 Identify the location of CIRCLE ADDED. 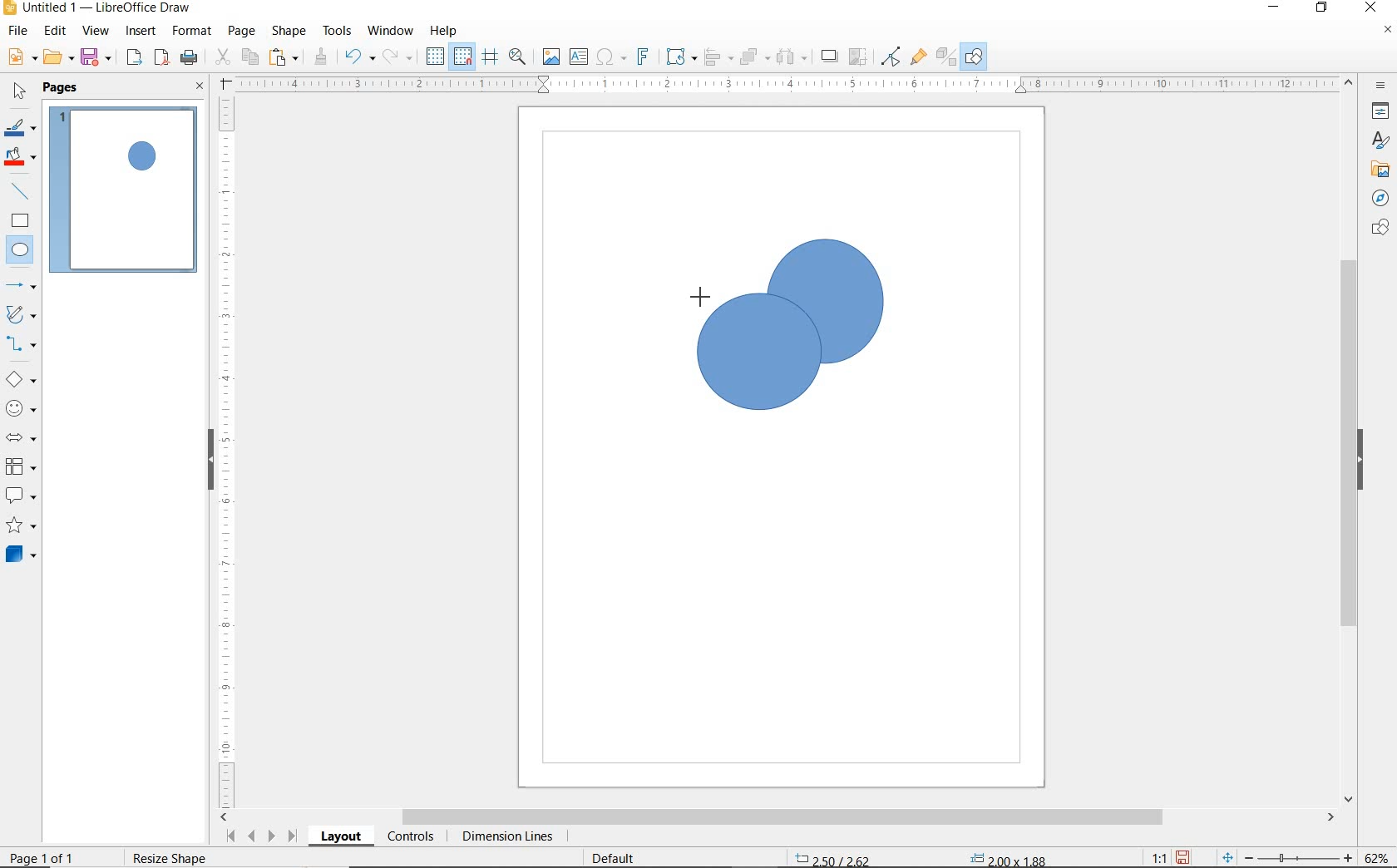
(144, 158).